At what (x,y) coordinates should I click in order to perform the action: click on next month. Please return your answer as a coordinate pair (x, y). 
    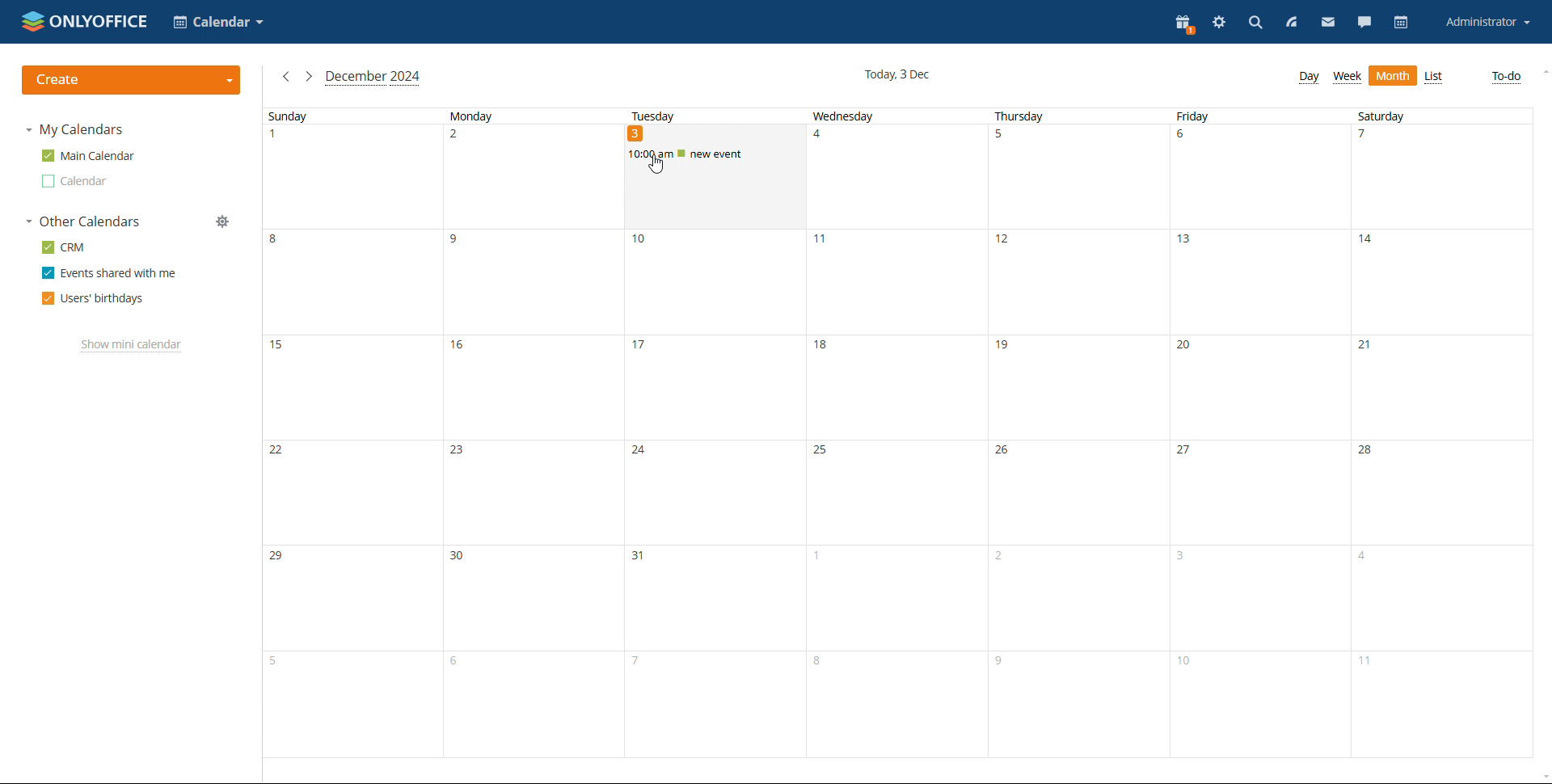
    Looking at the image, I should click on (309, 77).